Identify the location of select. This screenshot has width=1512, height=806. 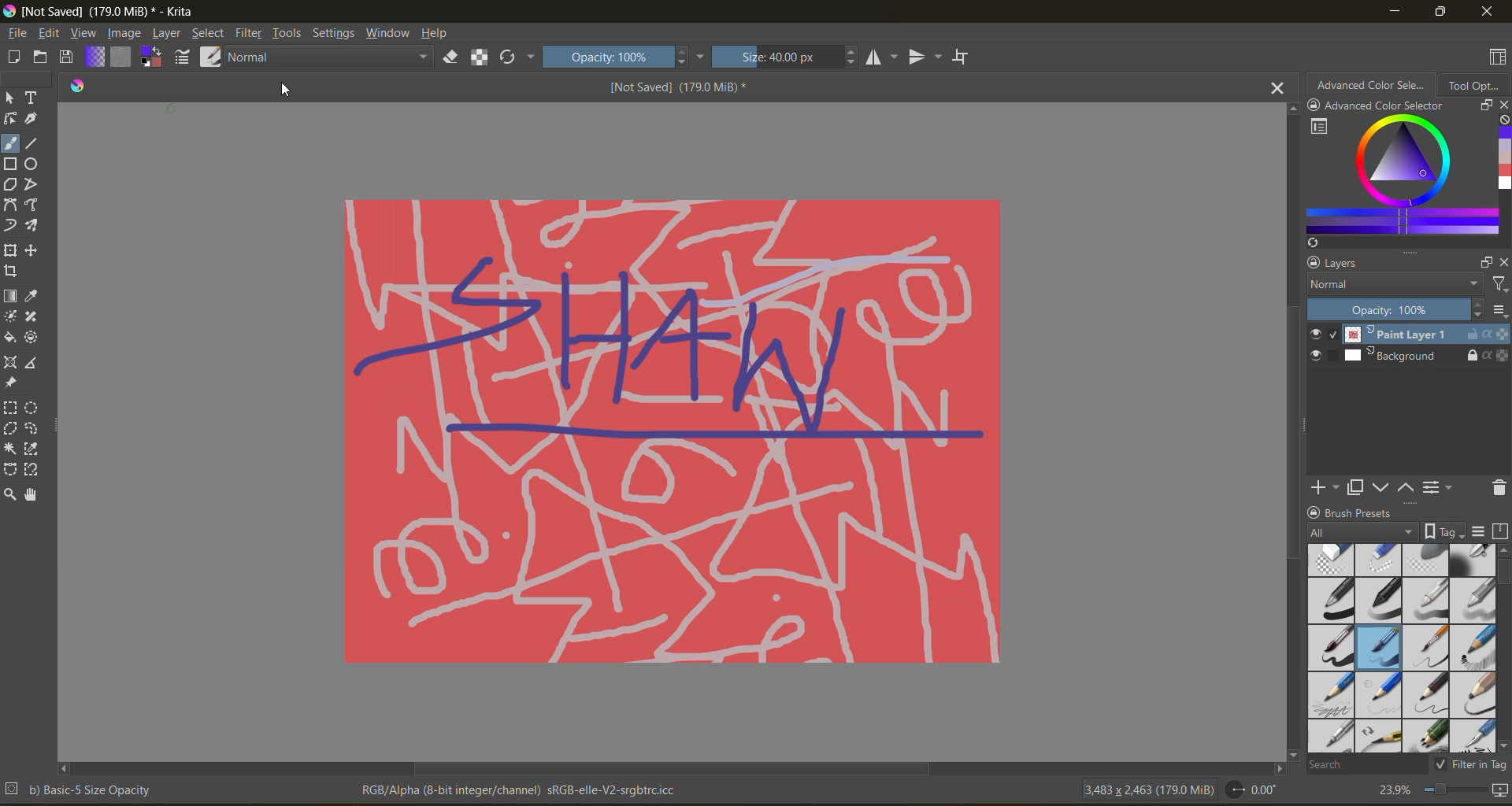
(208, 33).